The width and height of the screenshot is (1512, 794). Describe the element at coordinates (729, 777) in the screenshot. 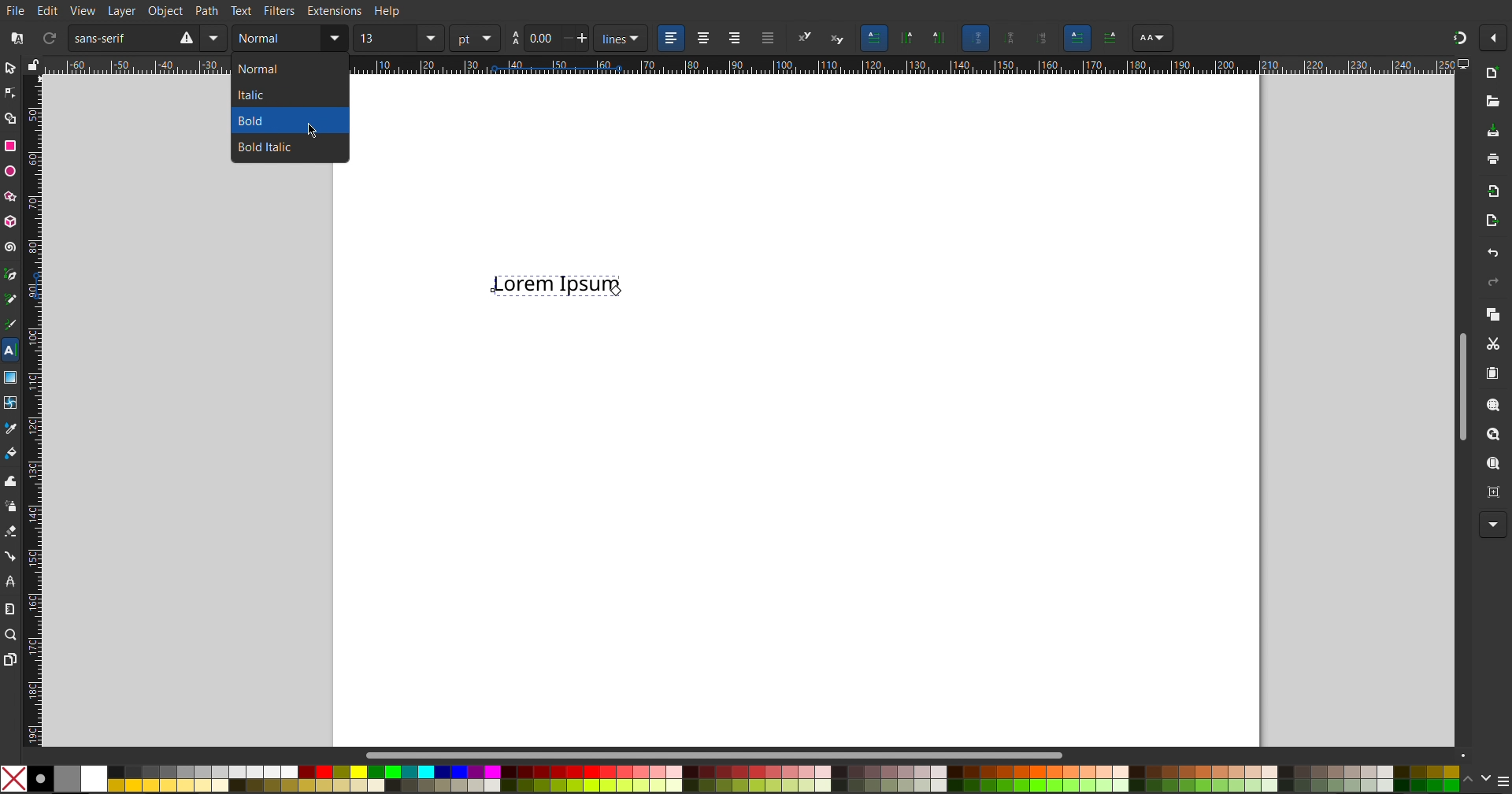

I see `Color` at that location.